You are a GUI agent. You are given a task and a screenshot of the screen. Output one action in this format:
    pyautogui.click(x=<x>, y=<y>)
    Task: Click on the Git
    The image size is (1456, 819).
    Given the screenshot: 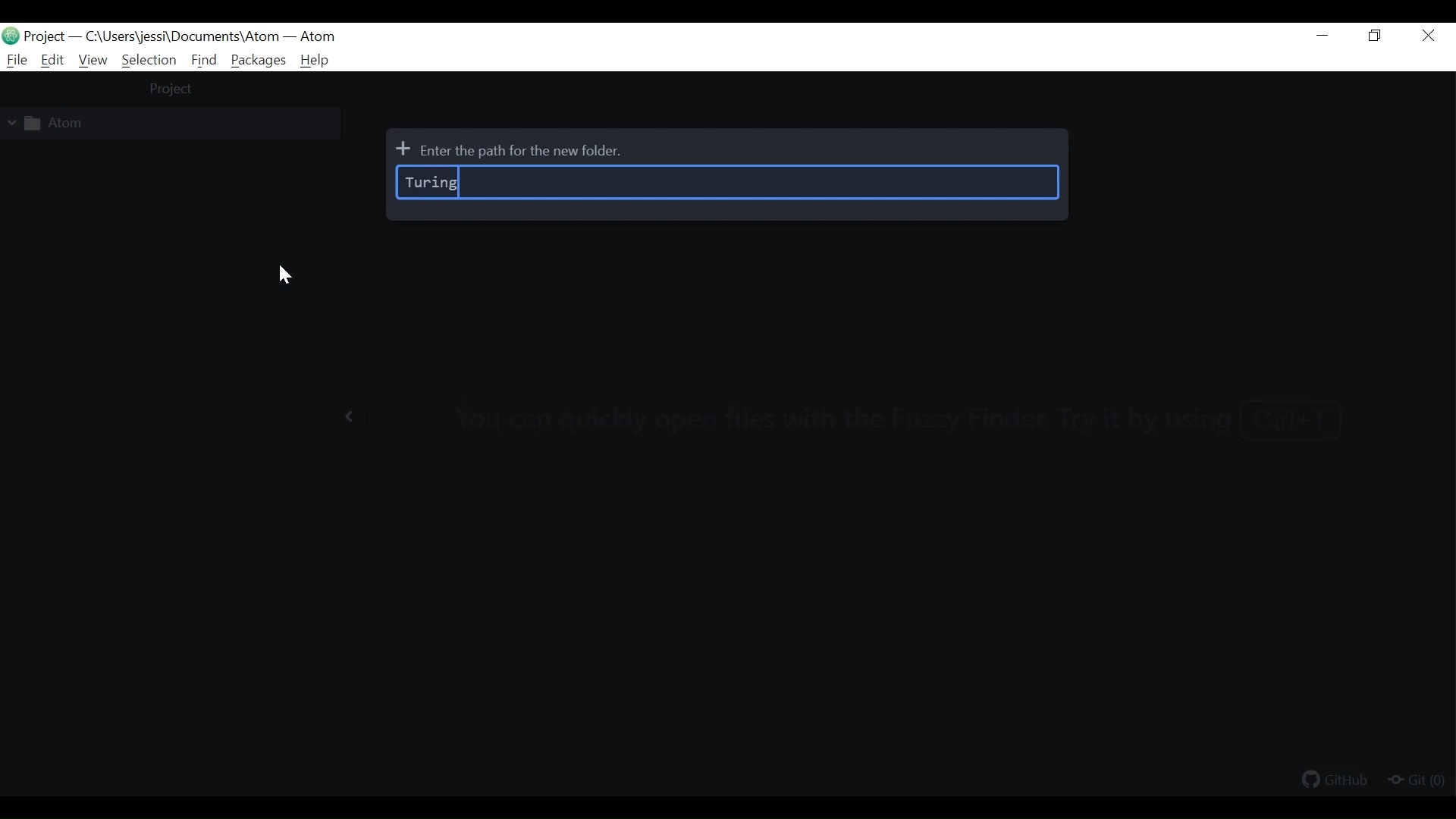 What is the action you would take?
    pyautogui.click(x=1416, y=781)
    